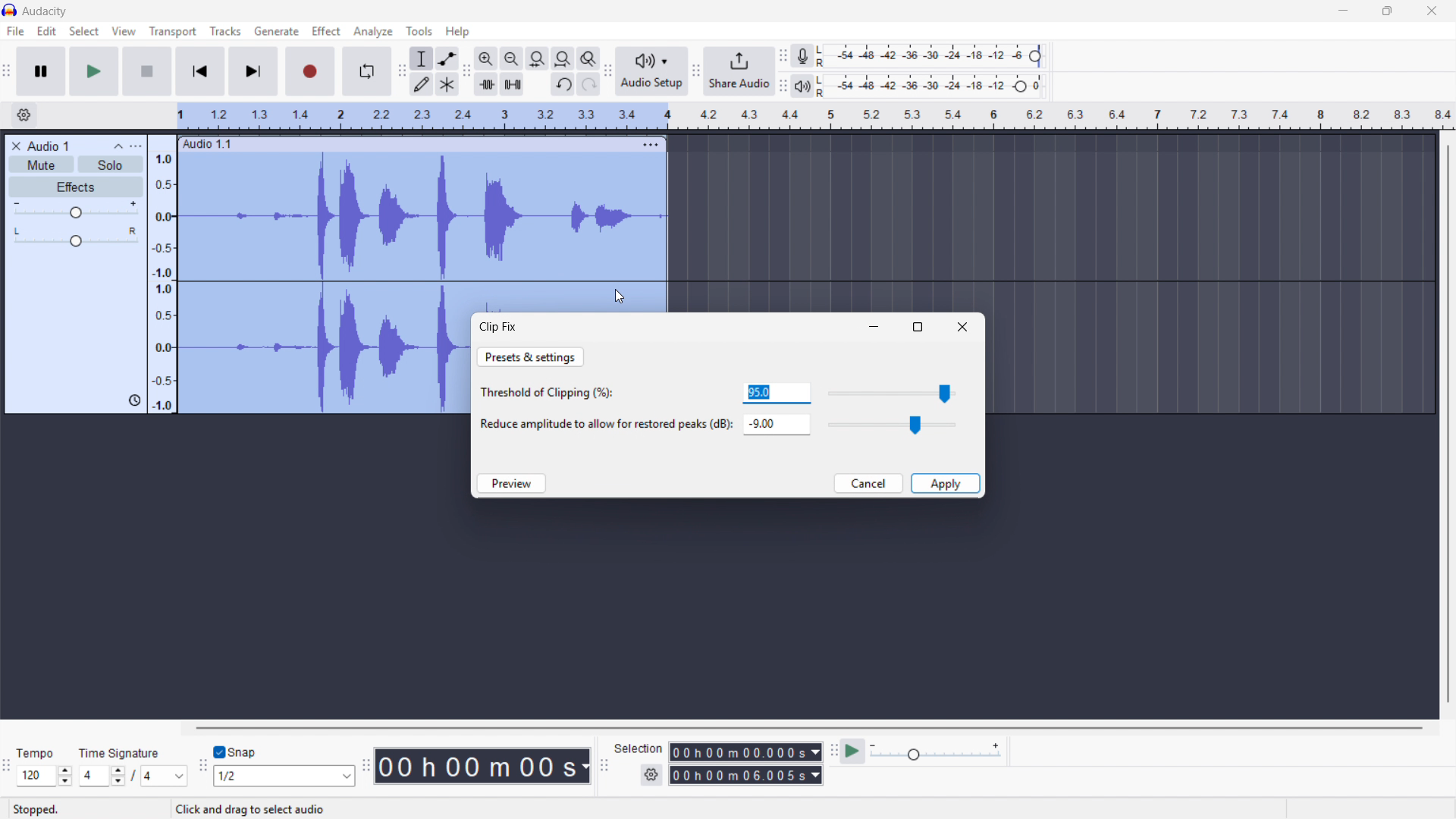 The image size is (1456, 819). Describe the element at coordinates (77, 188) in the screenshot. I see `Effects` at that location.